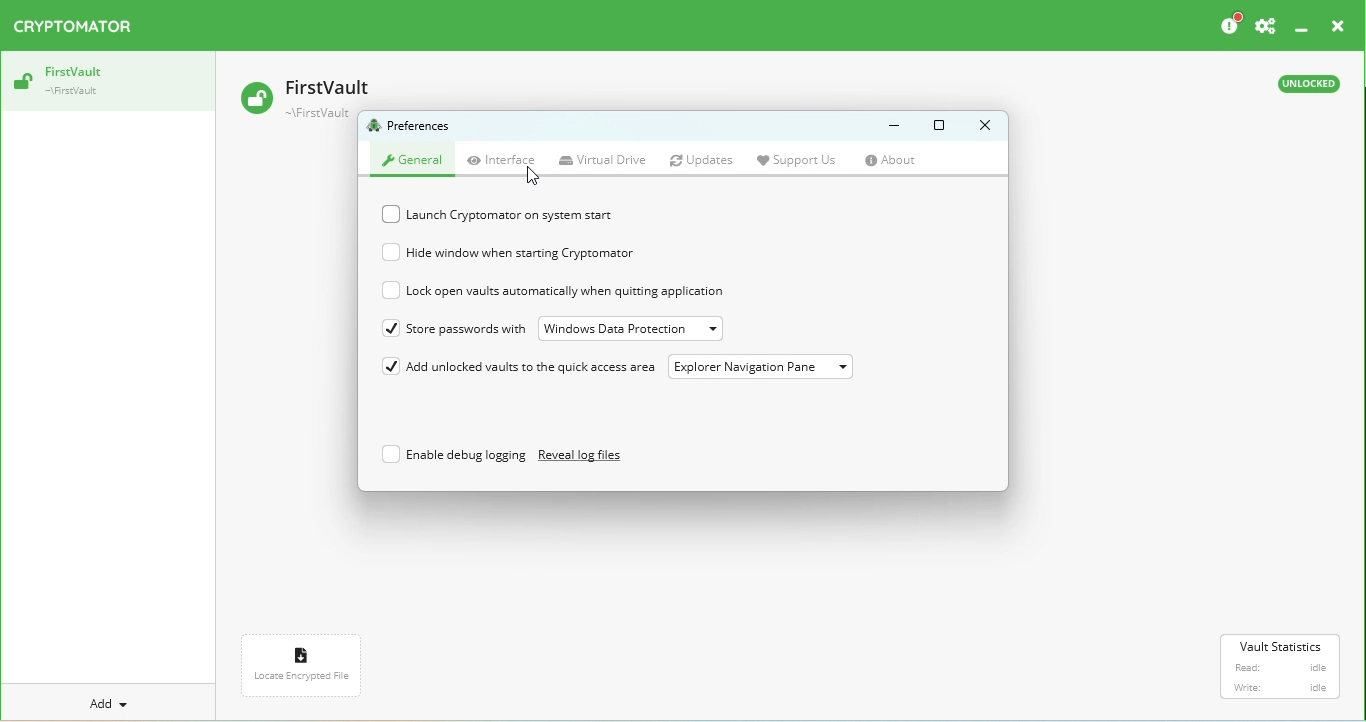  I want to click on Reveal log files, so click(593, 458).